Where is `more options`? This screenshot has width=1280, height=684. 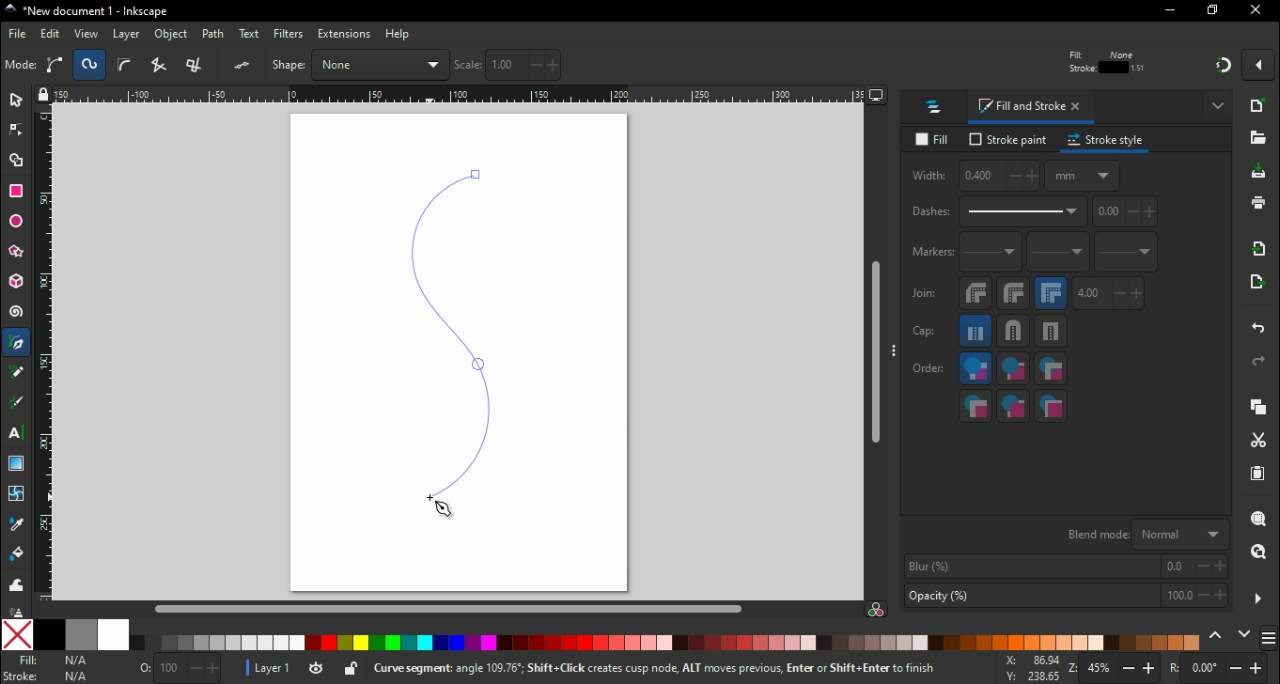 more options is located at coordinates (895, 354).